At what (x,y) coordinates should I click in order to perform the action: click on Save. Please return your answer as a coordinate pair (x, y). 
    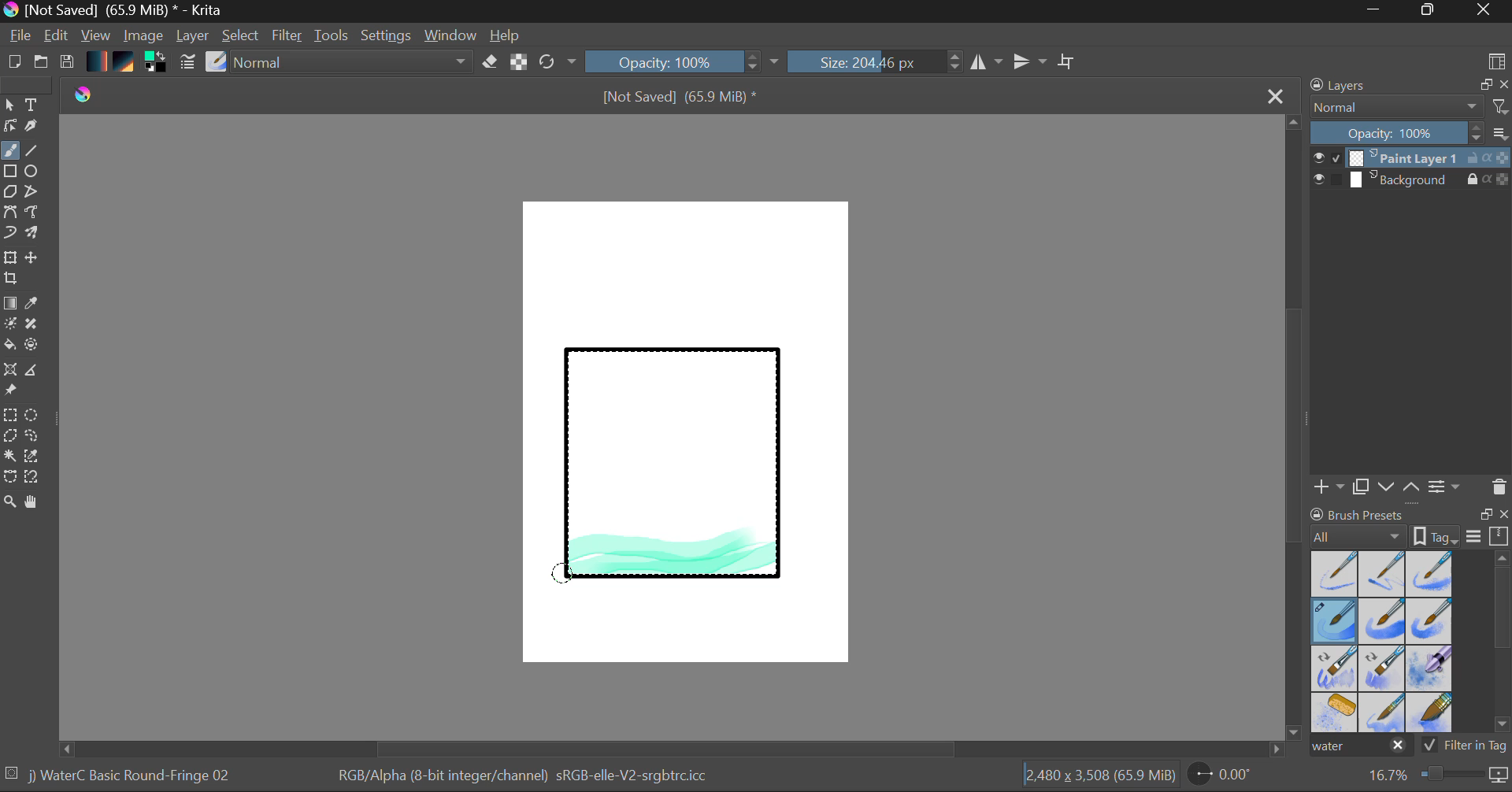
    Looking at the image, I should click on (66, 63).